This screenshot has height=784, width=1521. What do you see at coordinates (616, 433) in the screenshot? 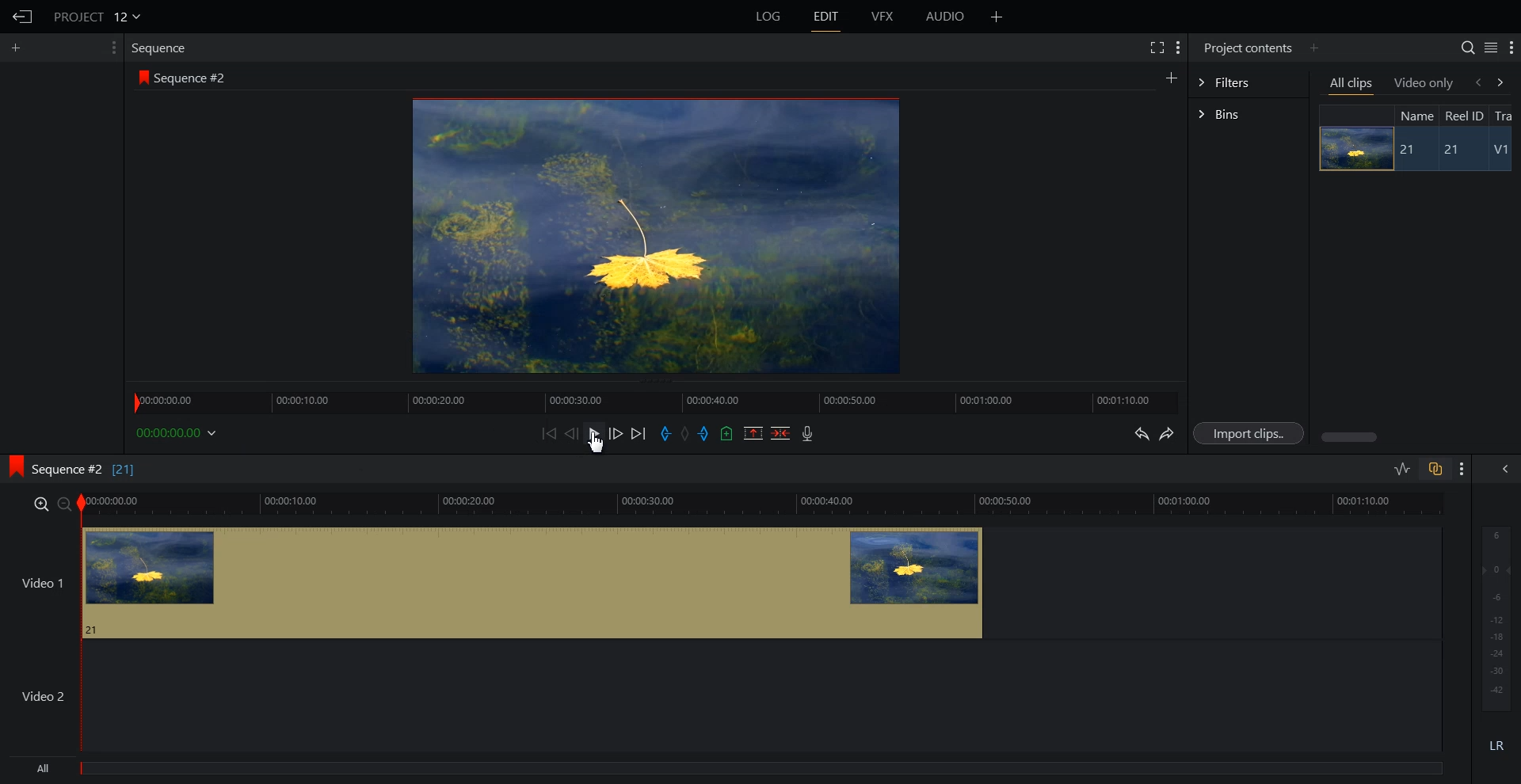
I see `Nurse one frame forward` at bounding box center [616, 433].